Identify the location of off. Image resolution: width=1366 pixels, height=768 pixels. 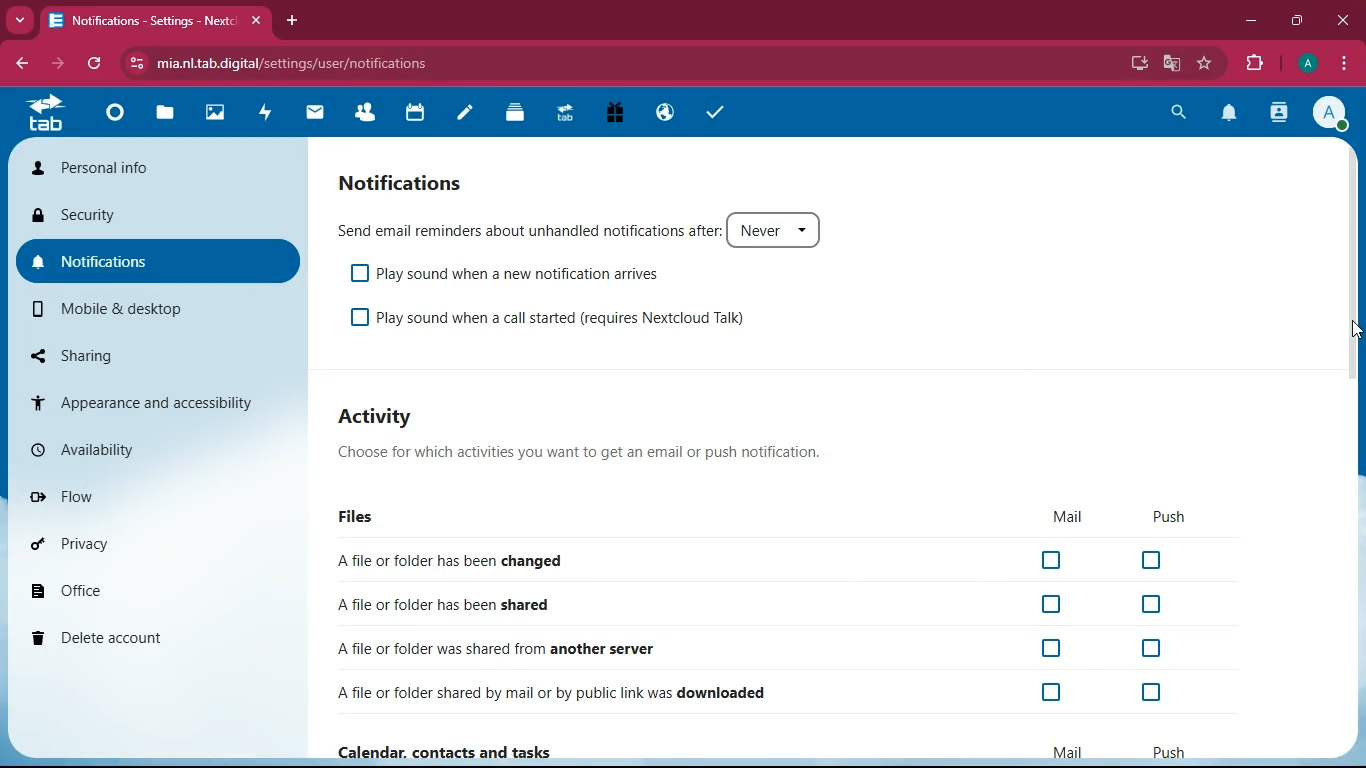
(1147, 602).